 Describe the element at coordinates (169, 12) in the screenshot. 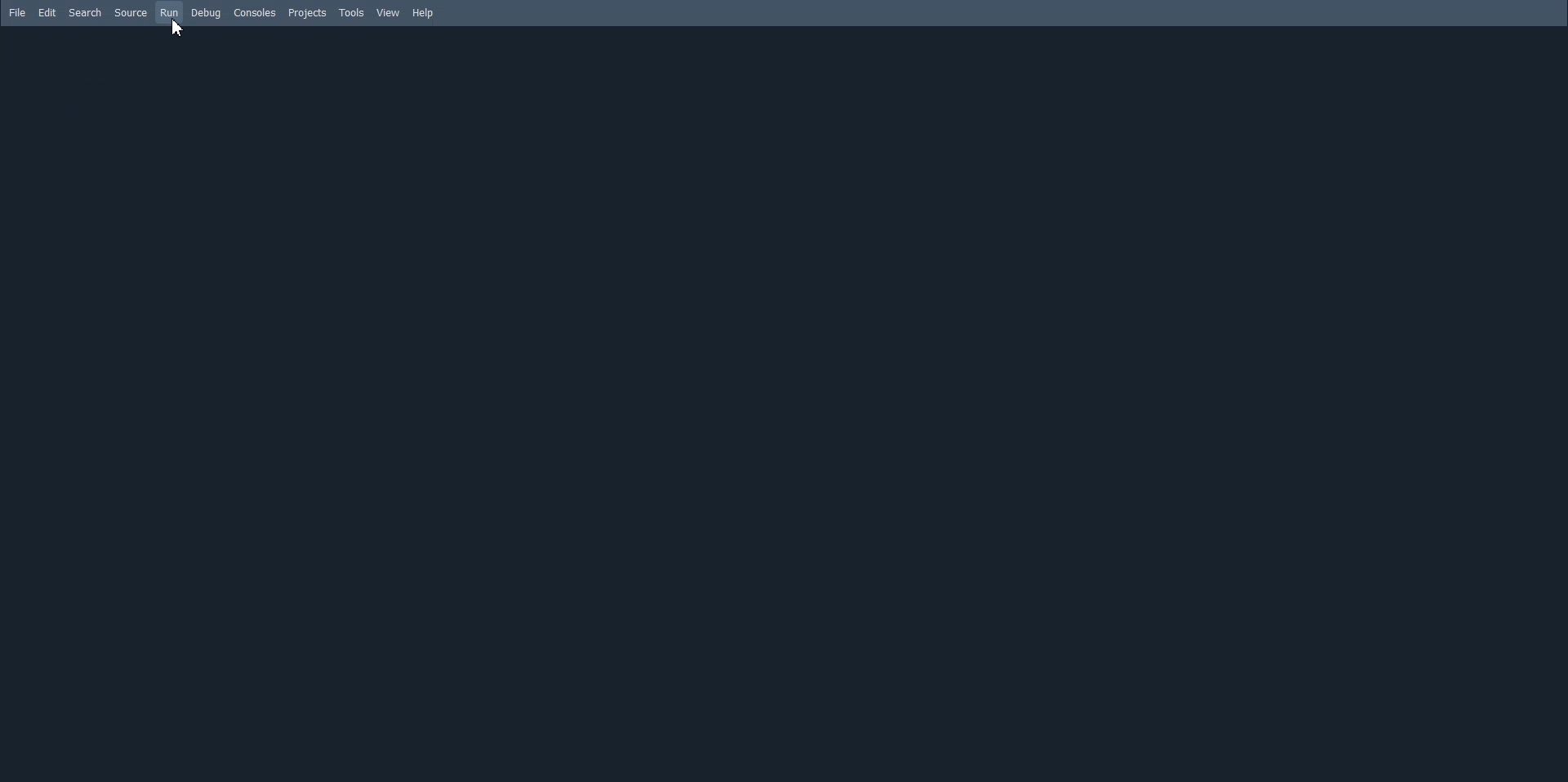

I see `Run` at that location.